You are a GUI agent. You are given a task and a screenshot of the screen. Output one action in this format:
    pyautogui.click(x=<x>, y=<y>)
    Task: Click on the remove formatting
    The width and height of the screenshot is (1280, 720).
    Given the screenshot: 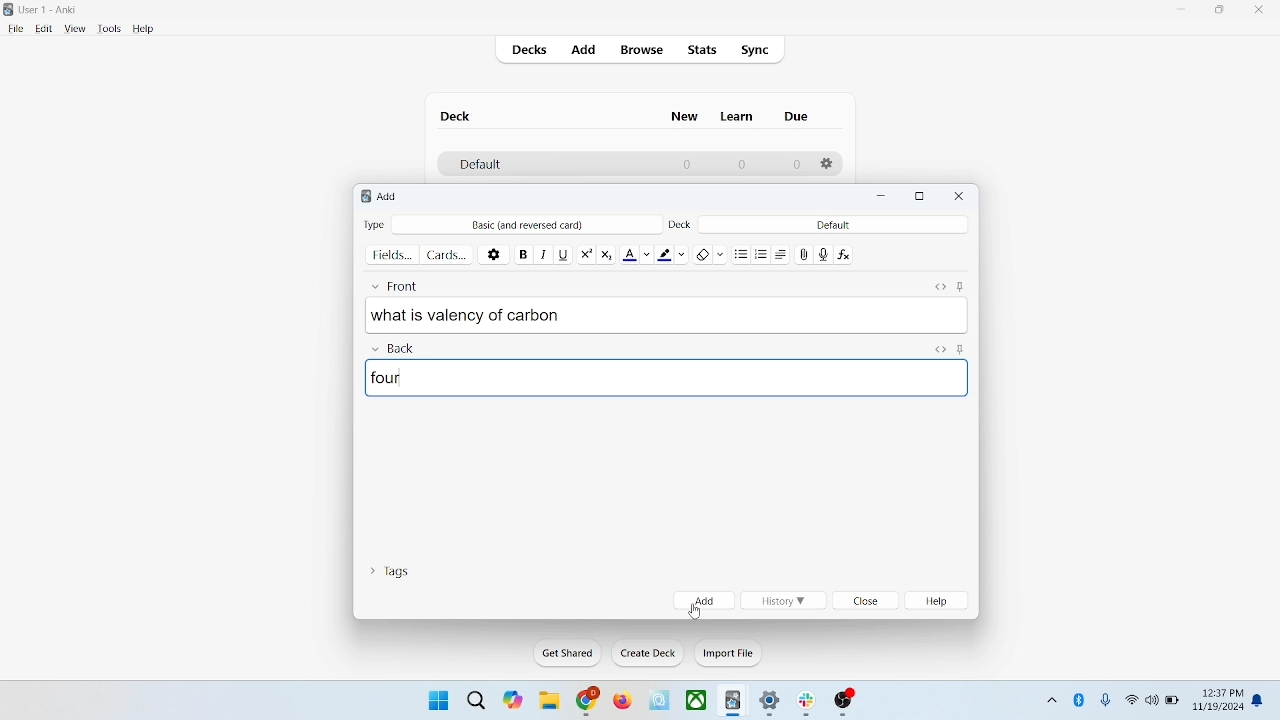 What is the action you would take?
    pyautogui.click(x=711, y=252)
    